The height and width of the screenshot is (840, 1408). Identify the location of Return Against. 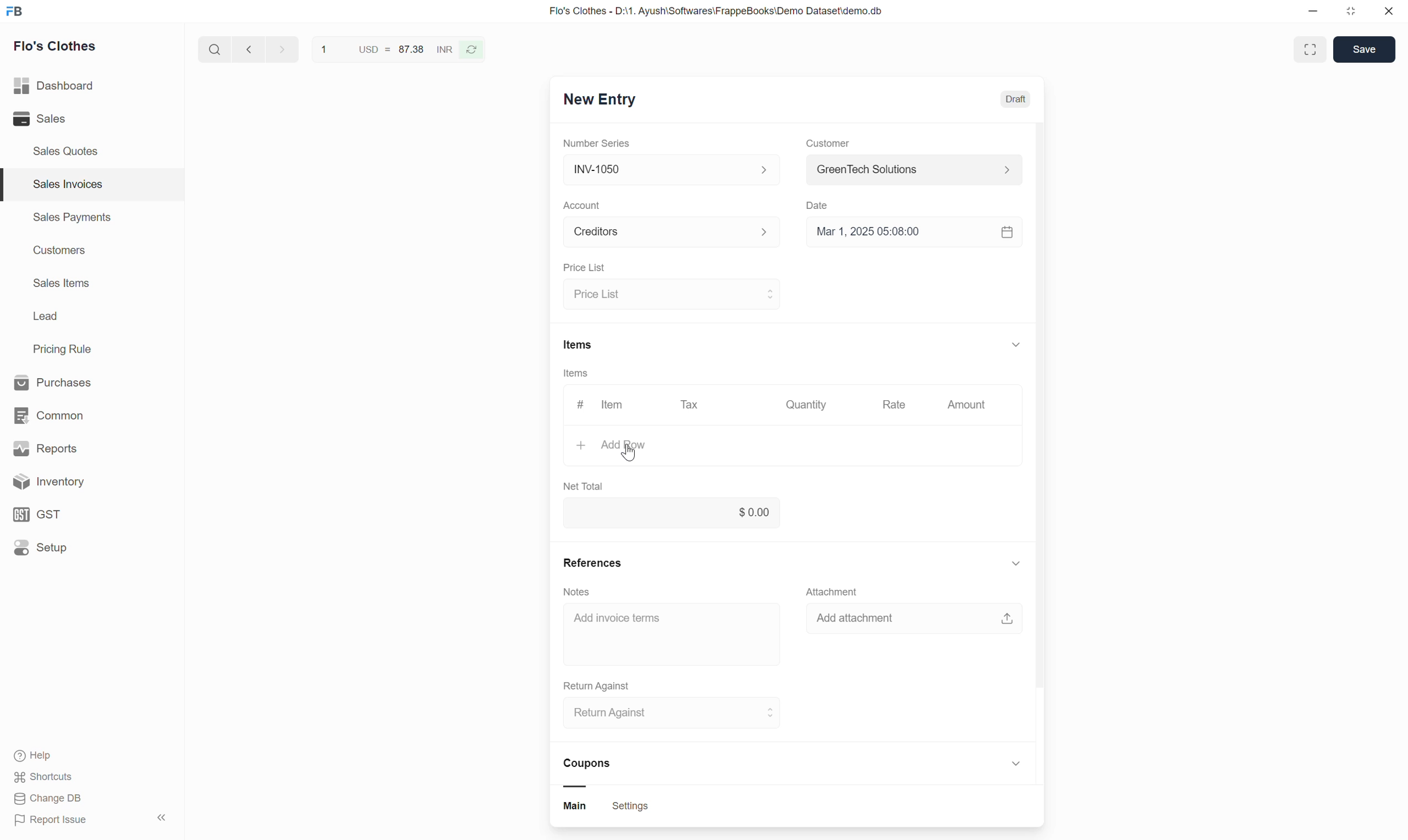
(598, 684).